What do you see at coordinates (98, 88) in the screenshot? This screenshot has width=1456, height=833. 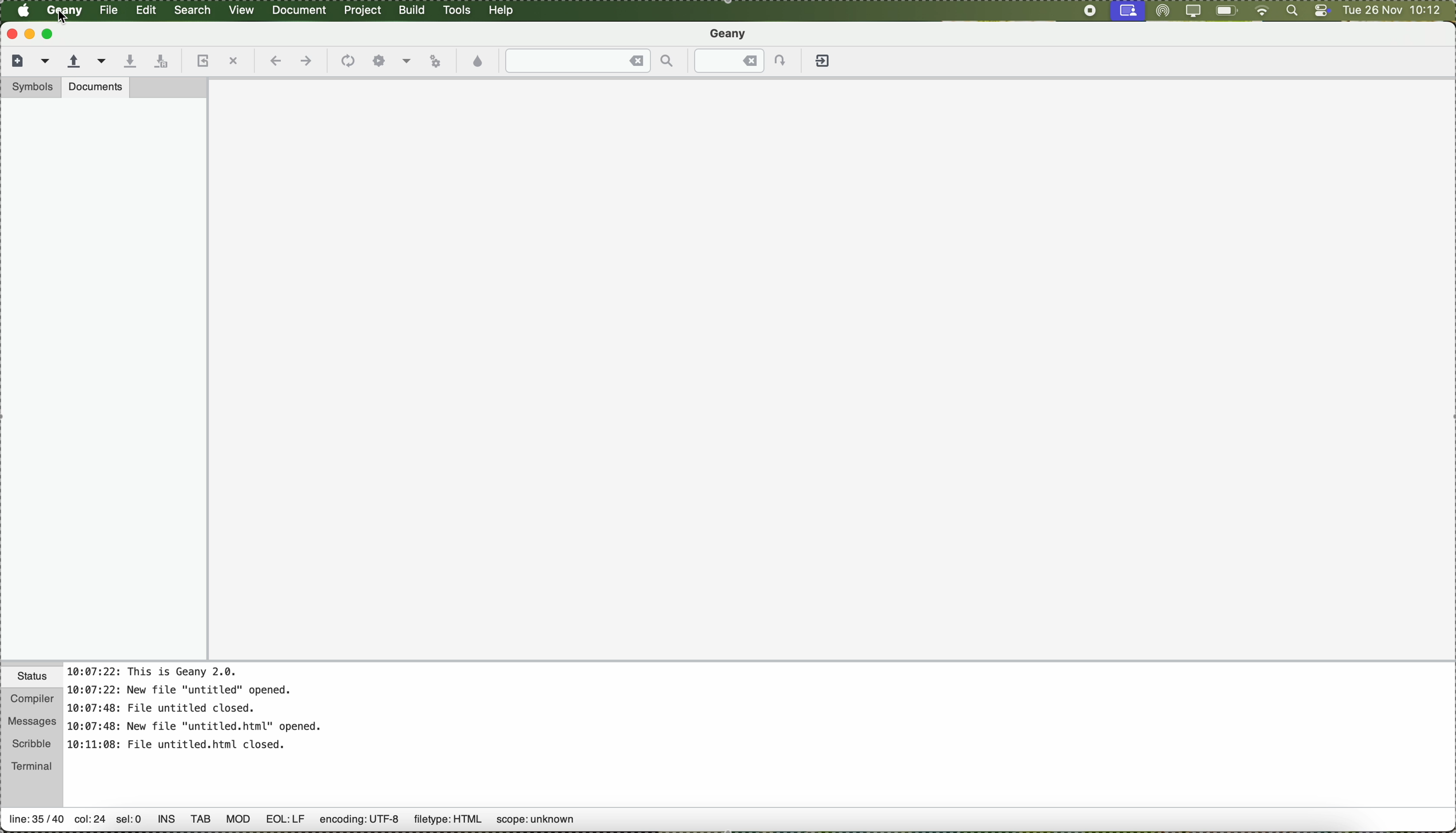 I see `documents` at bounding box center [98, 88].